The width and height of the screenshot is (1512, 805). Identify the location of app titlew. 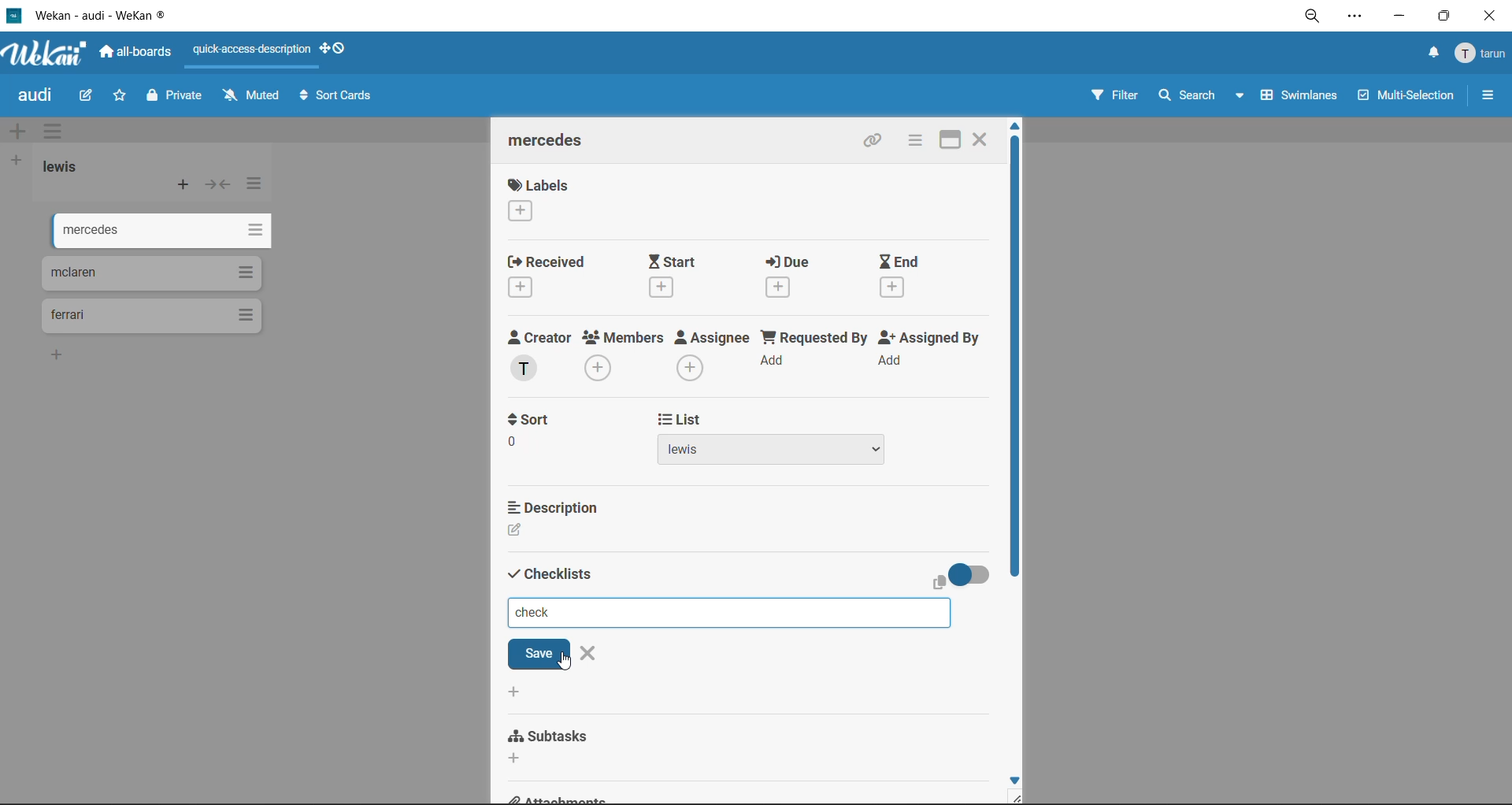
(124, 18).